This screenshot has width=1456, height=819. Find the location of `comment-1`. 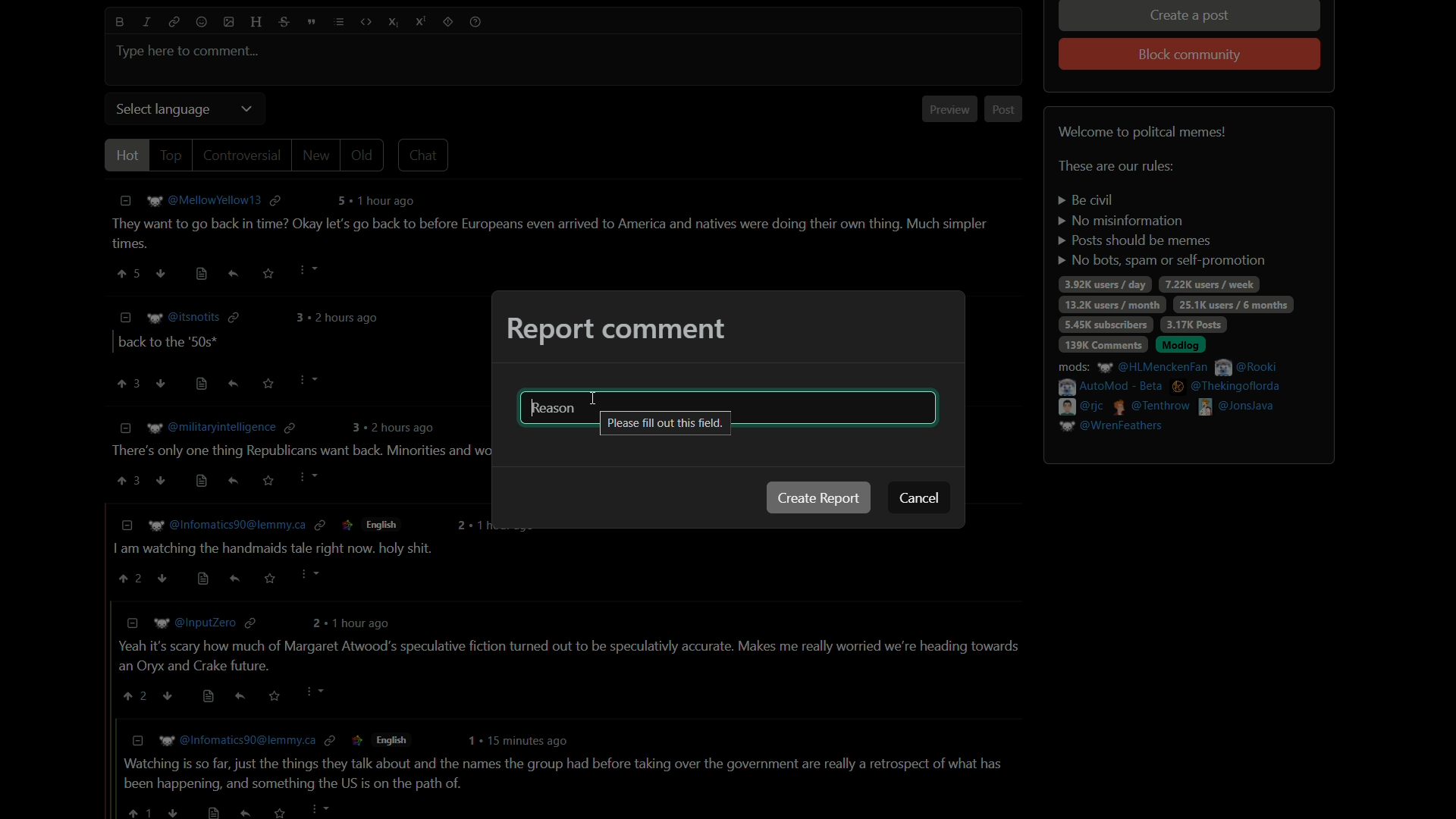

comment-1 is located at coordinates (557, 236).